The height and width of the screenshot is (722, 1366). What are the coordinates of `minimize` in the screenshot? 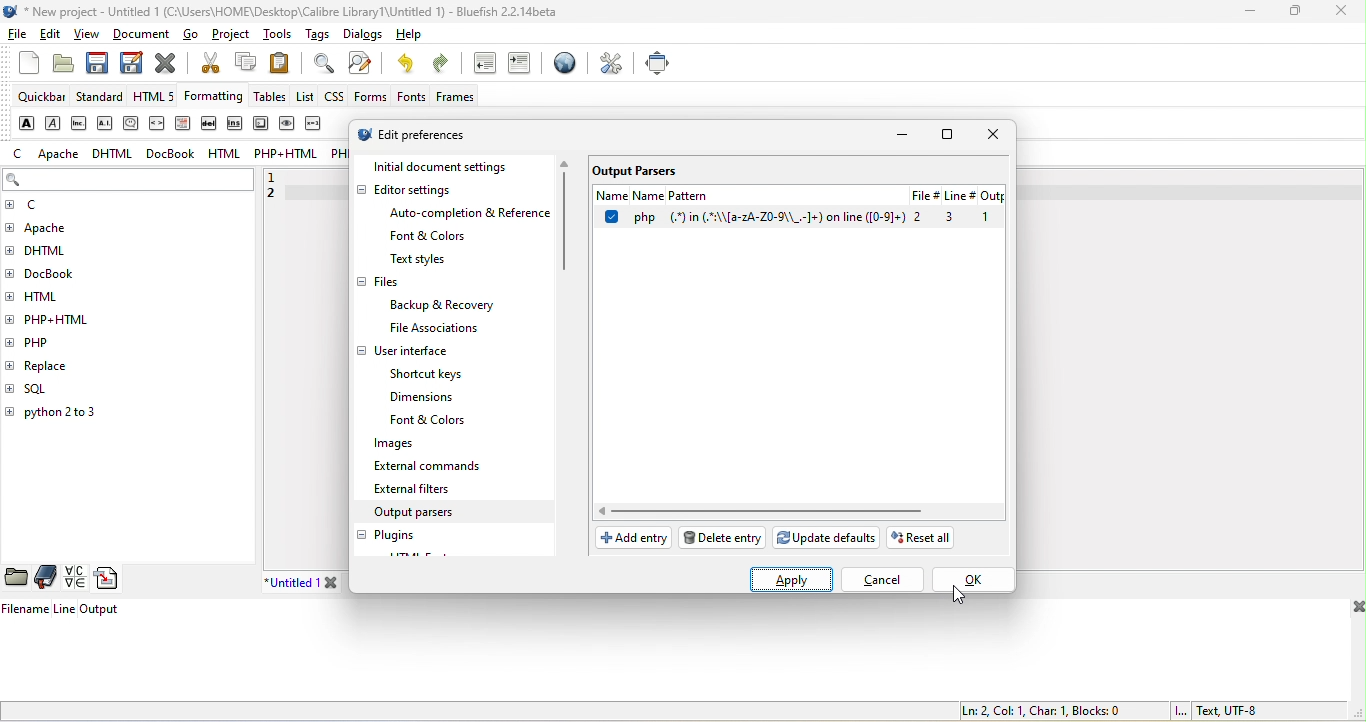 It's located at (1247, 12).